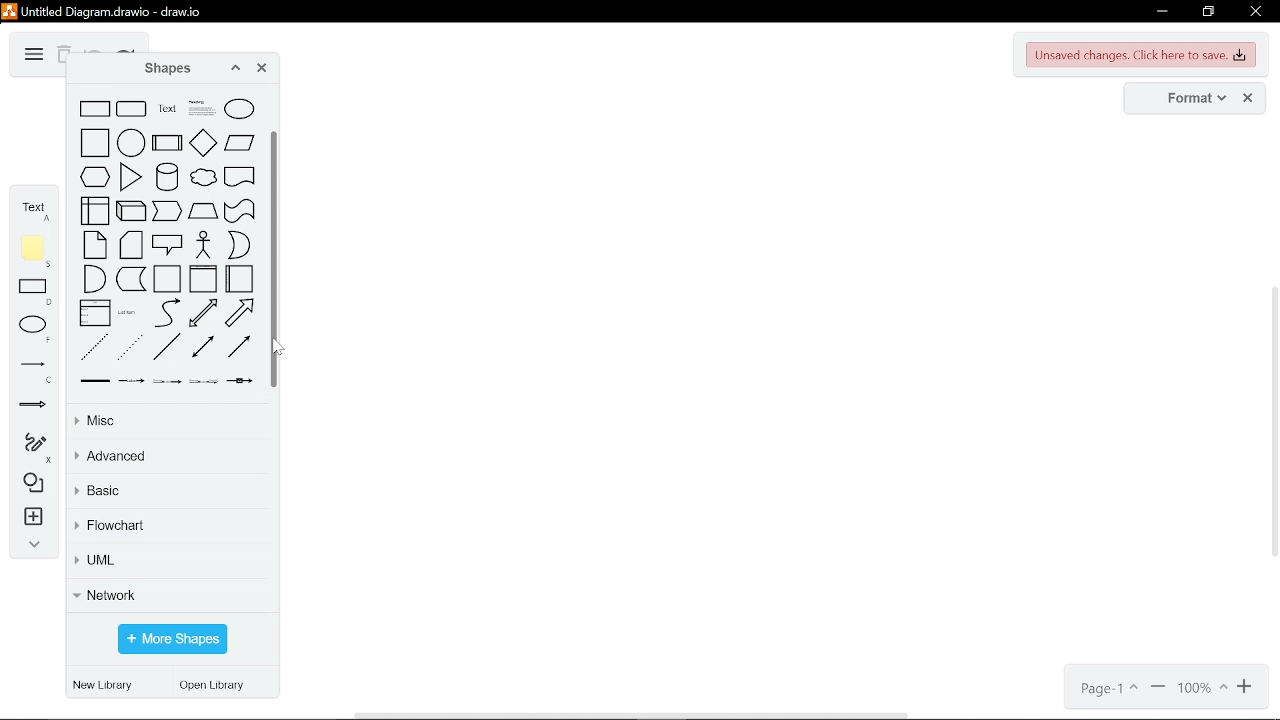 Image resolution: width=1280 pixels, height=720 pixels. What do you see at coordinates (36, 293) in the screenshot?
I see `rectangle` at bounding box center [36, 293].